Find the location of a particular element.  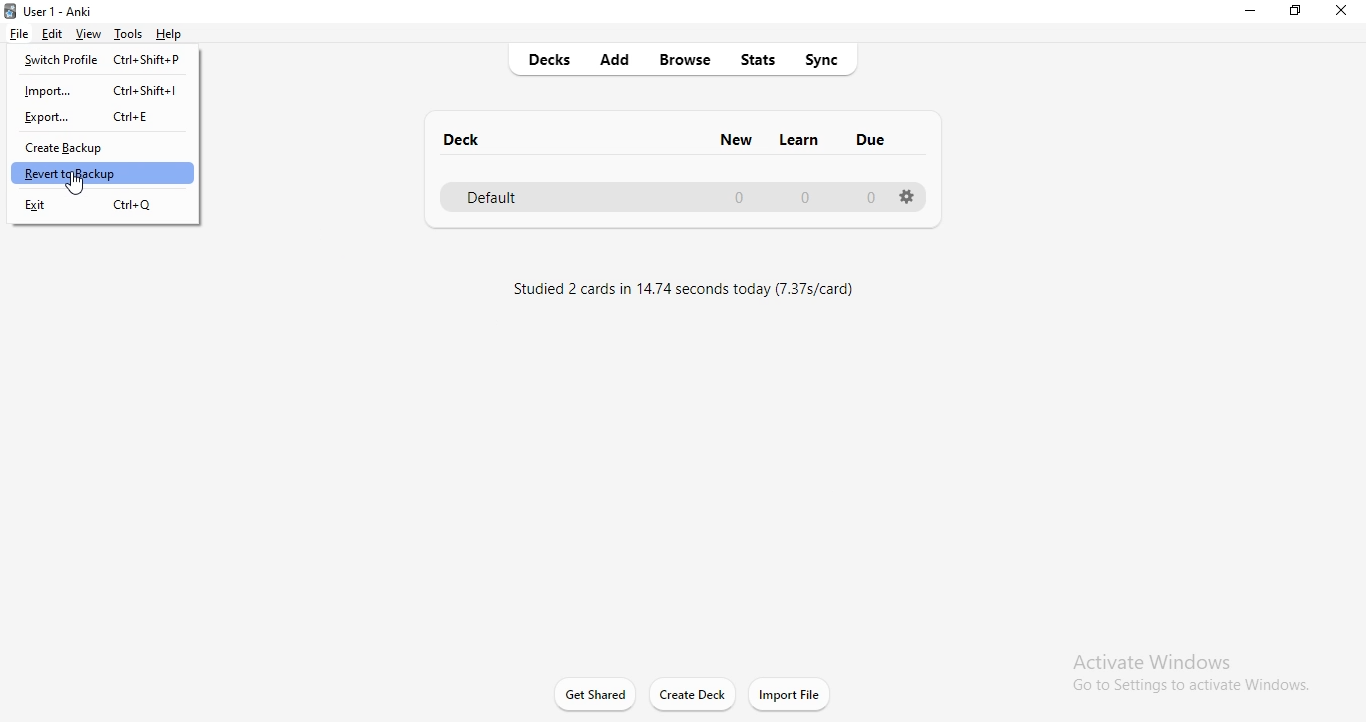

minimise is located at coordinates (1248, 13).